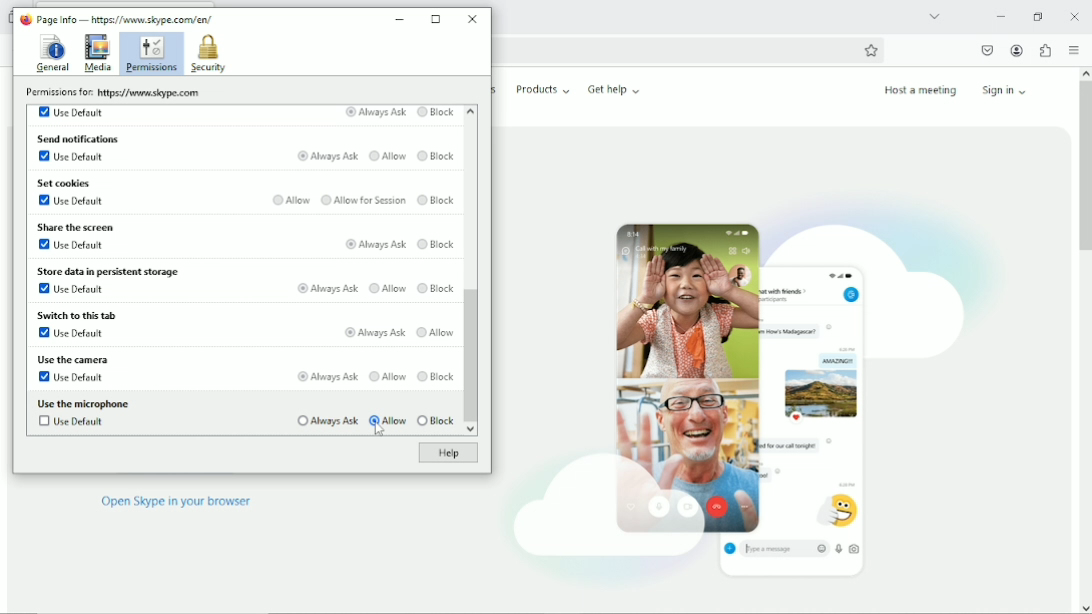 The width and height of the screenshot is (1092, 614). What do you see at coordinates (436, 376) in the screenshot?
I see `Block` at bounding box center [436, 376].